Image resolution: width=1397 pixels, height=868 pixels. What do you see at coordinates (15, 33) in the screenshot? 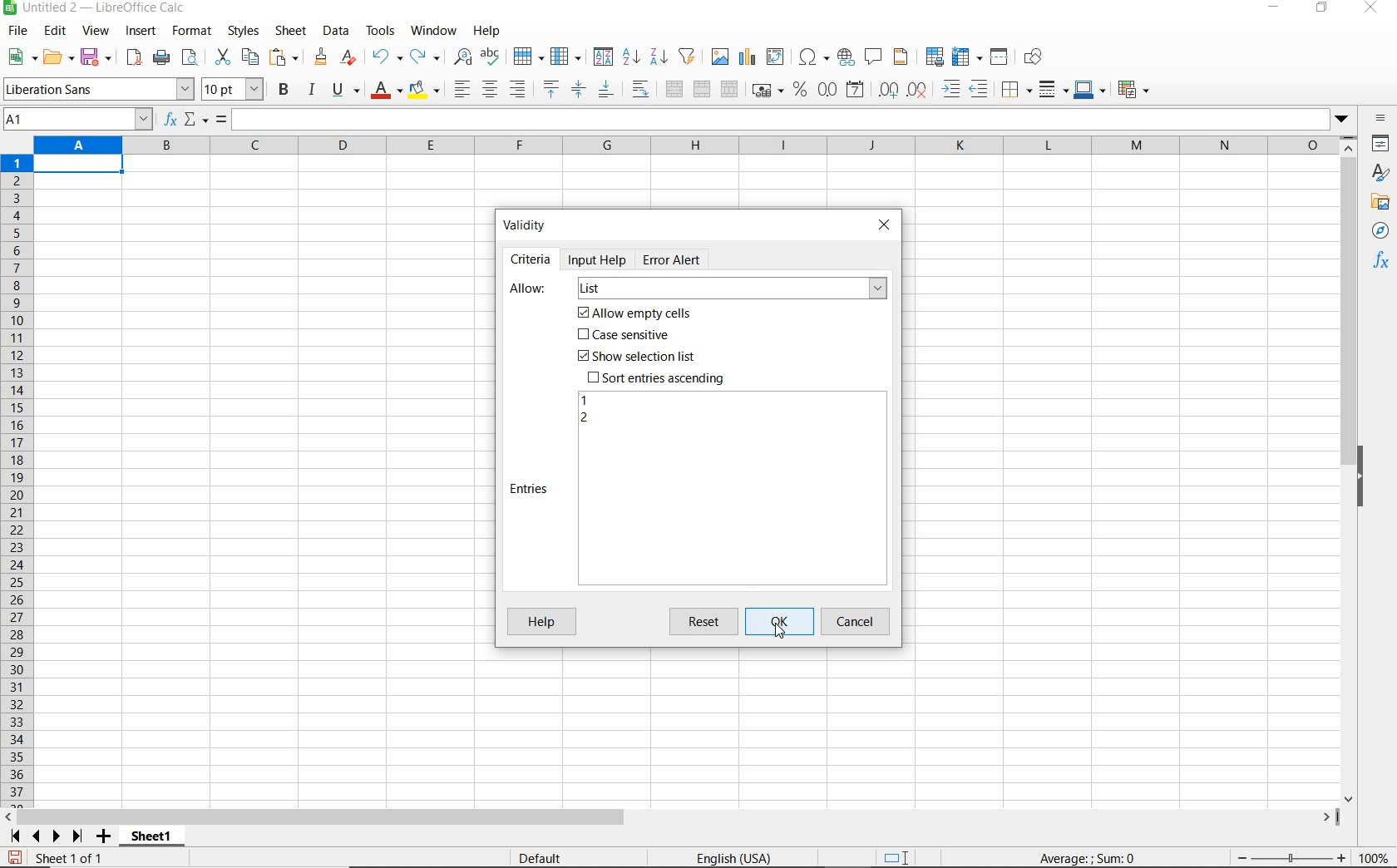
I see `file` at bounding box center [15, 33].